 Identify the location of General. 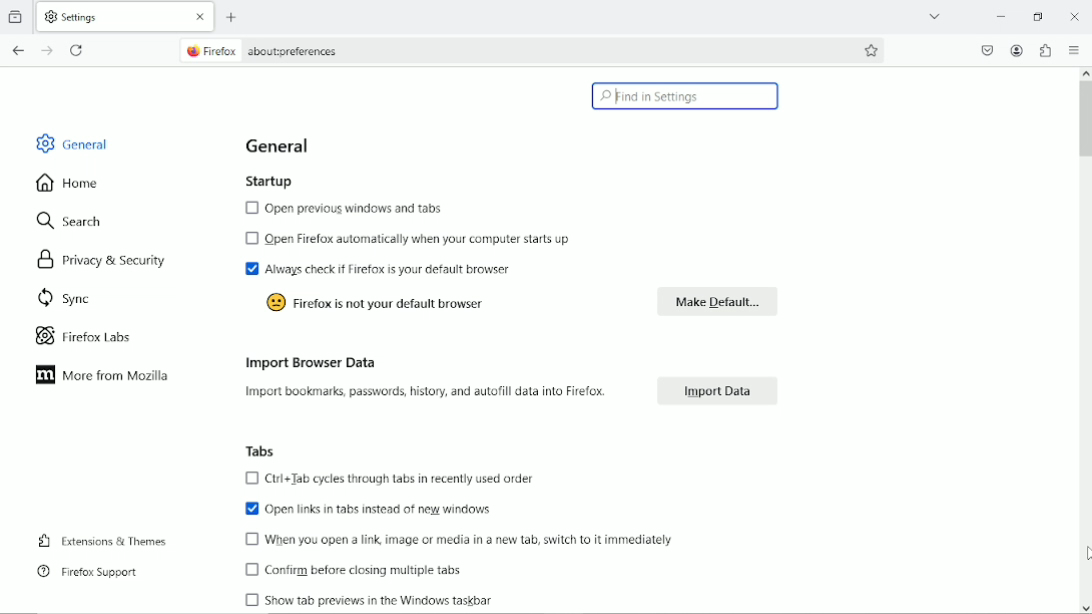
(281, 147).